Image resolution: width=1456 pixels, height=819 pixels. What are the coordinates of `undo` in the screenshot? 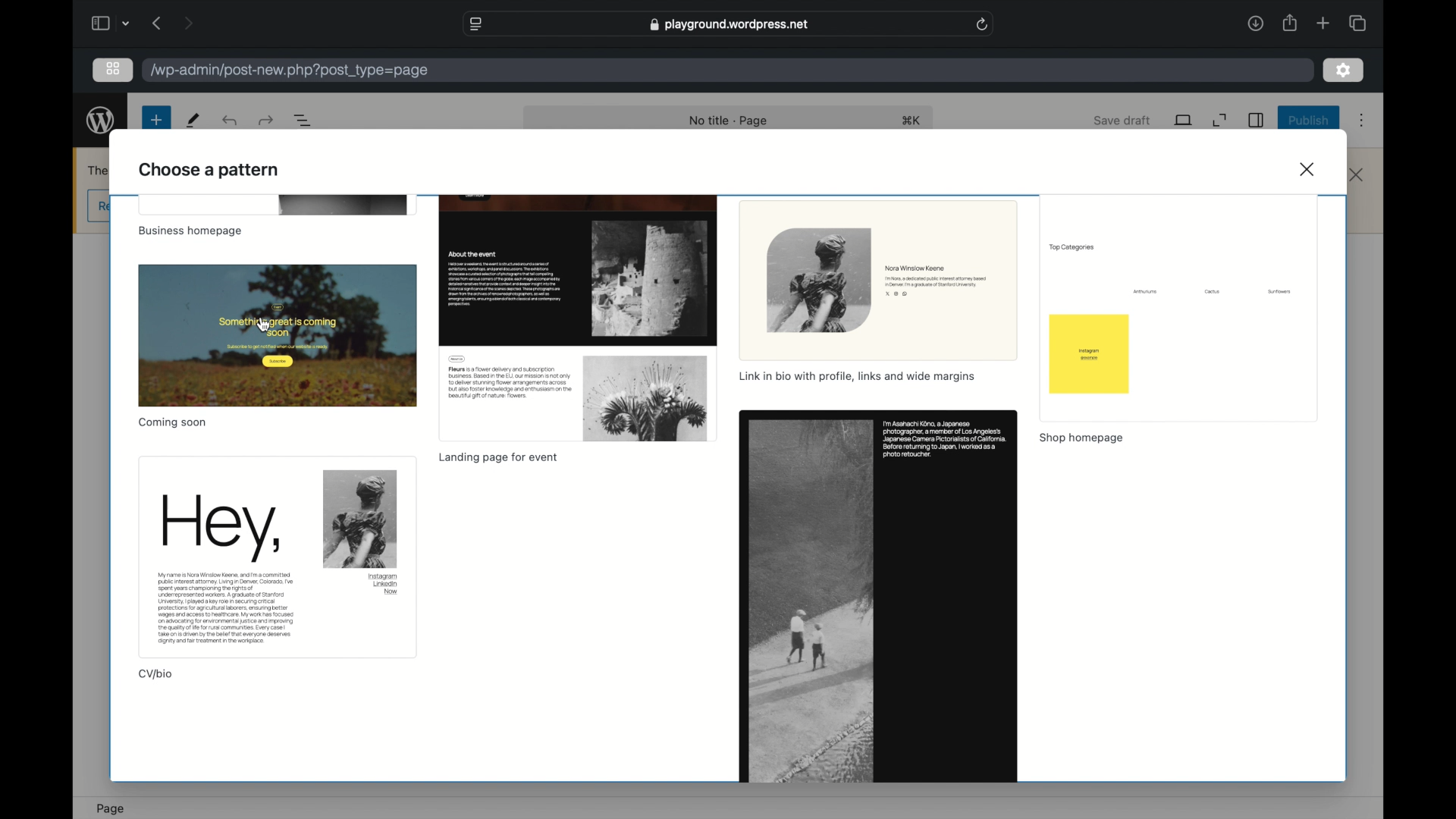 It's located at (265, 121).